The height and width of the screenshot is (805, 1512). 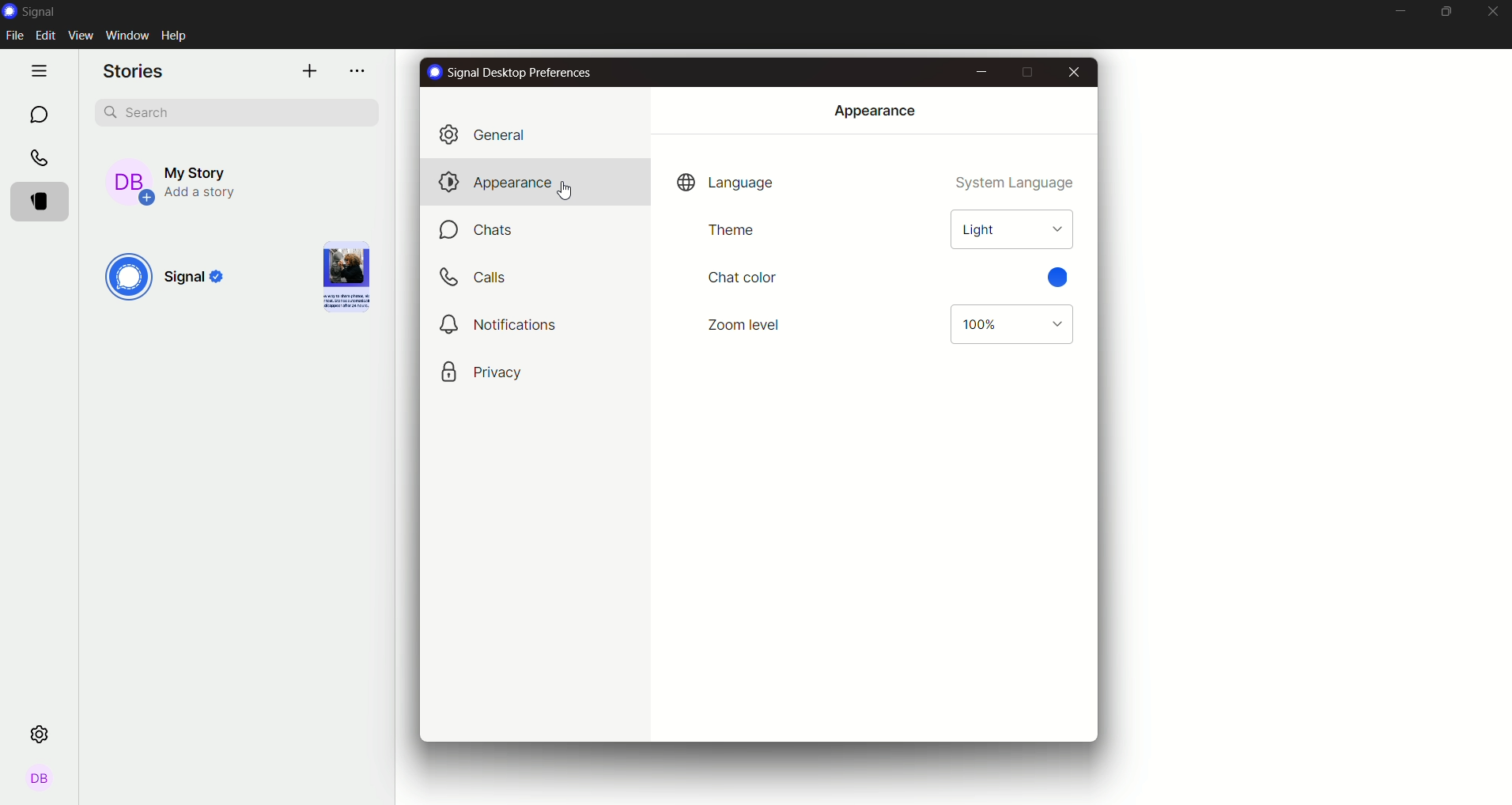 I want to click on notifications, so click(x=501, y=324).